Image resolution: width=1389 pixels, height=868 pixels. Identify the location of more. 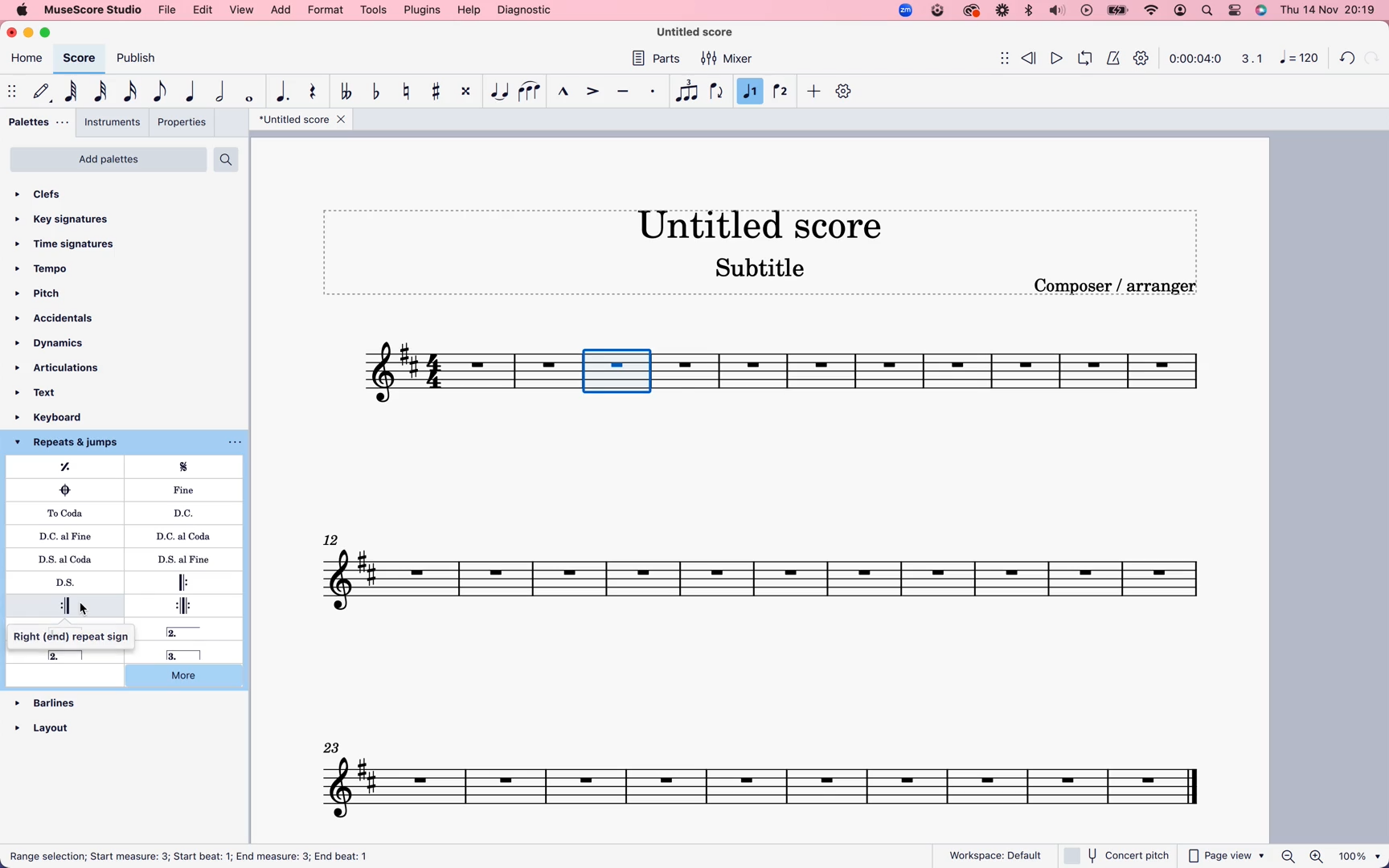
(814, 92).